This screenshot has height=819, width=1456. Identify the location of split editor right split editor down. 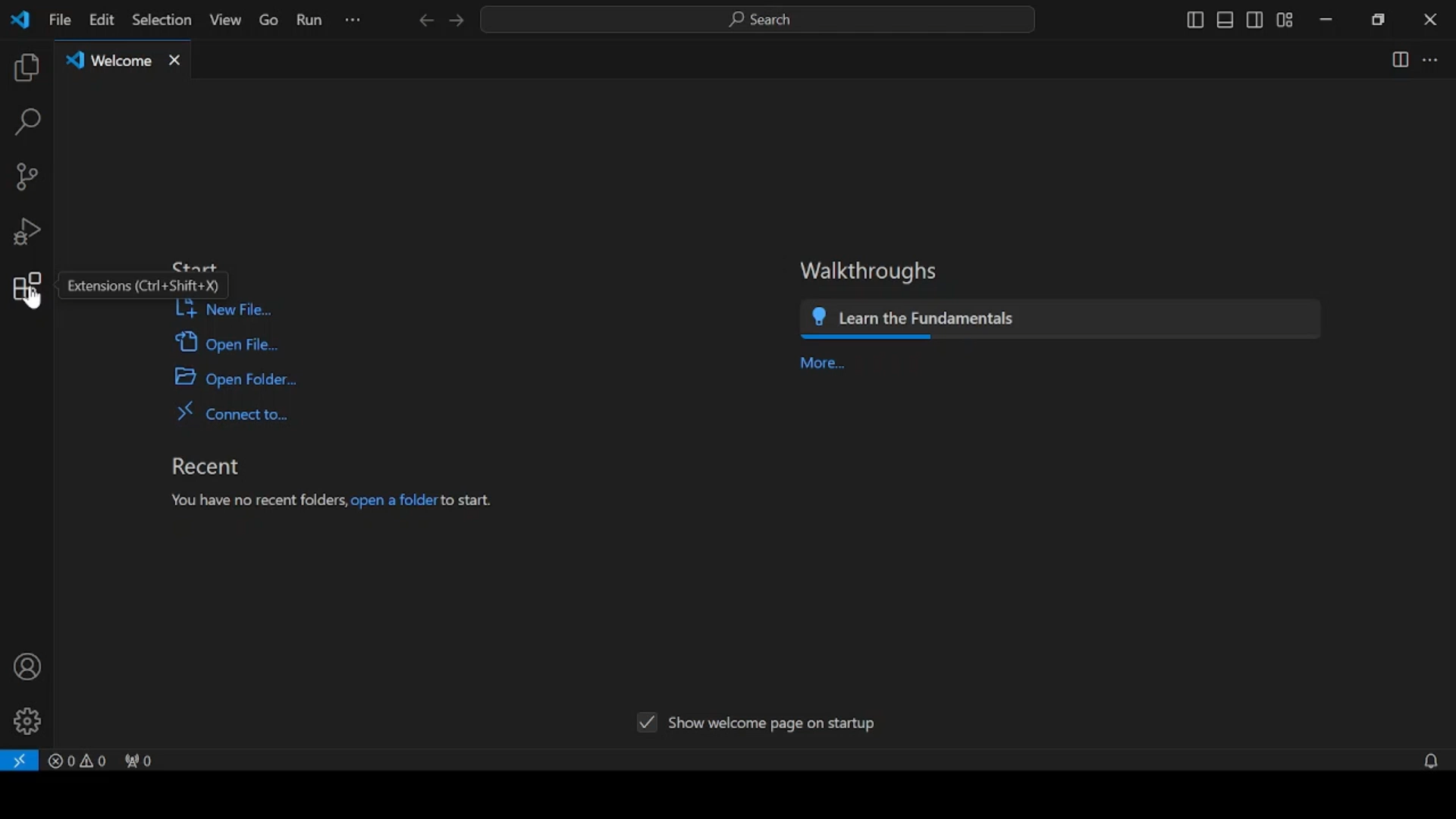
(1398, 61).